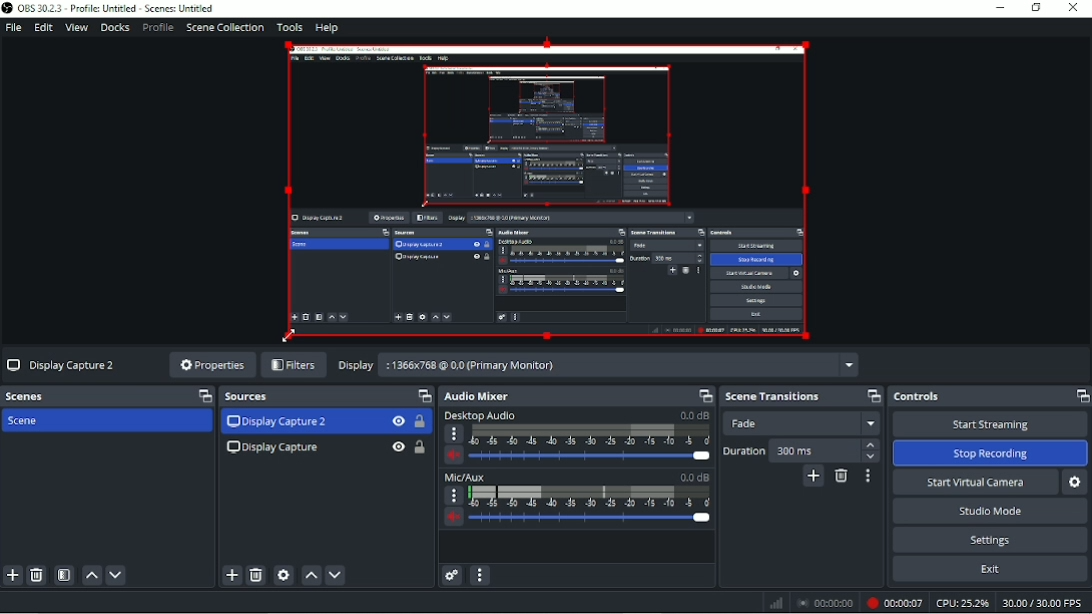  I want to click on Audio mixer menu, so click(483, 576).